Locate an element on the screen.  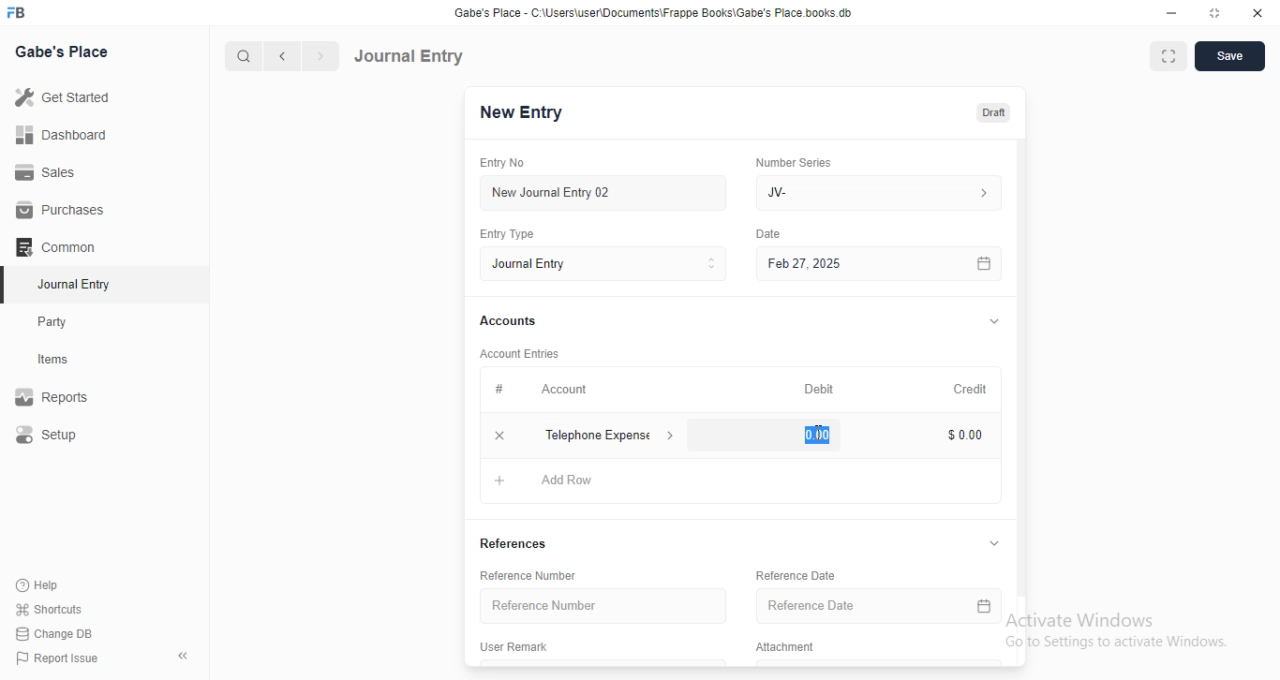
Items is located at coordinates (55, 360).